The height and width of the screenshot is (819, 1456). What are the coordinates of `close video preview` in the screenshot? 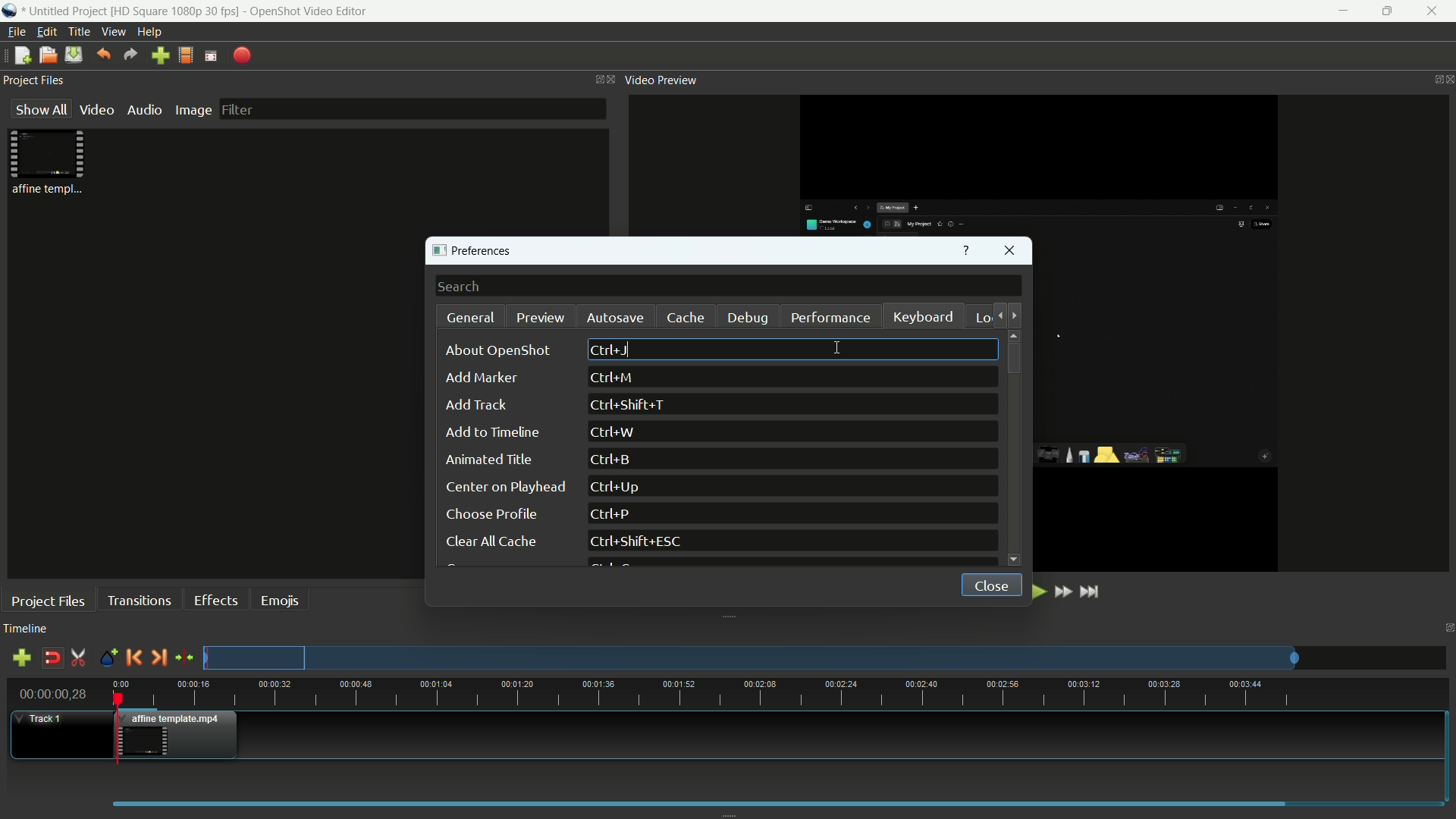 It's located at (1447, 80).